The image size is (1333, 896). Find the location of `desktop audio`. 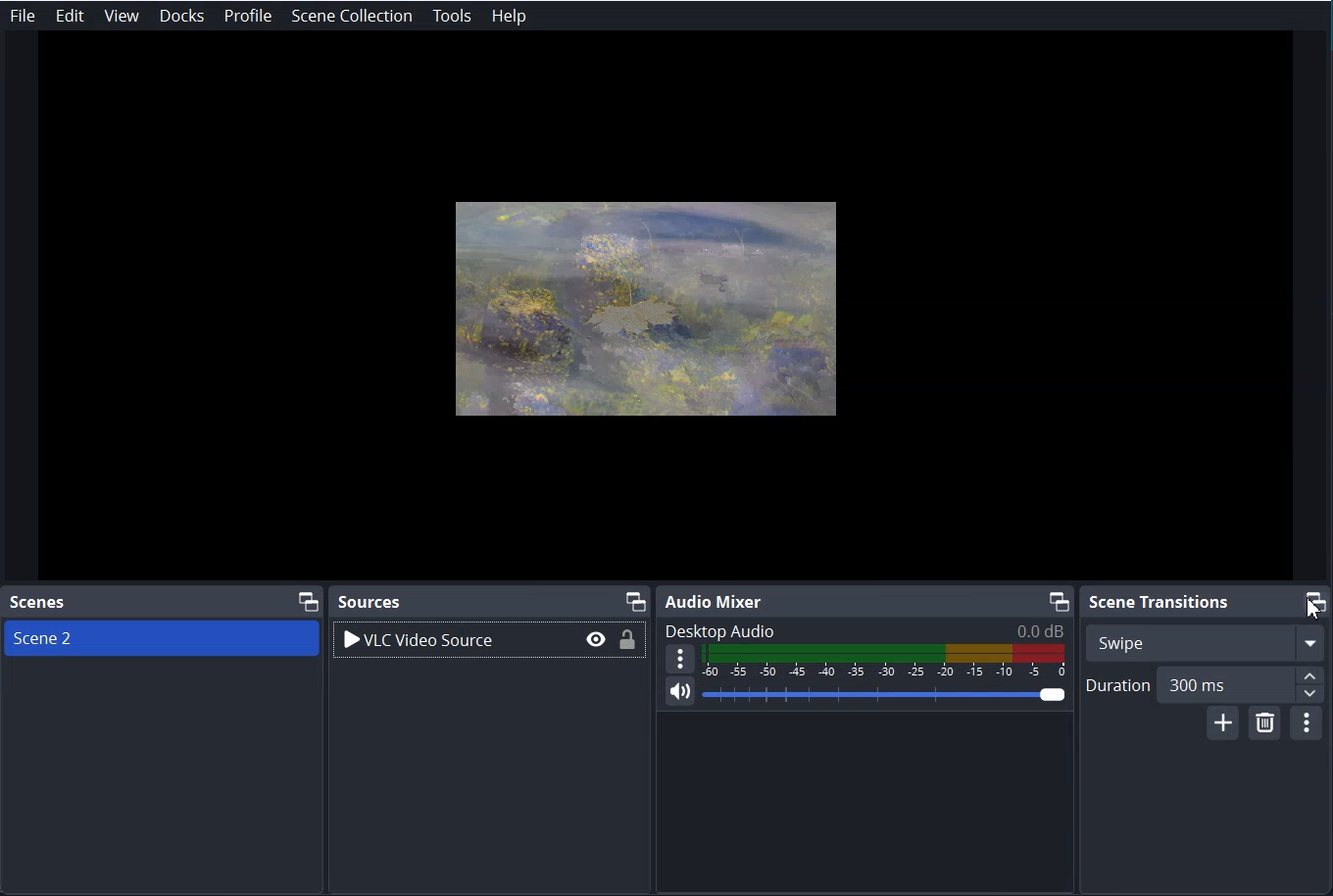

desktop audio is located at coordinates (868, 629).